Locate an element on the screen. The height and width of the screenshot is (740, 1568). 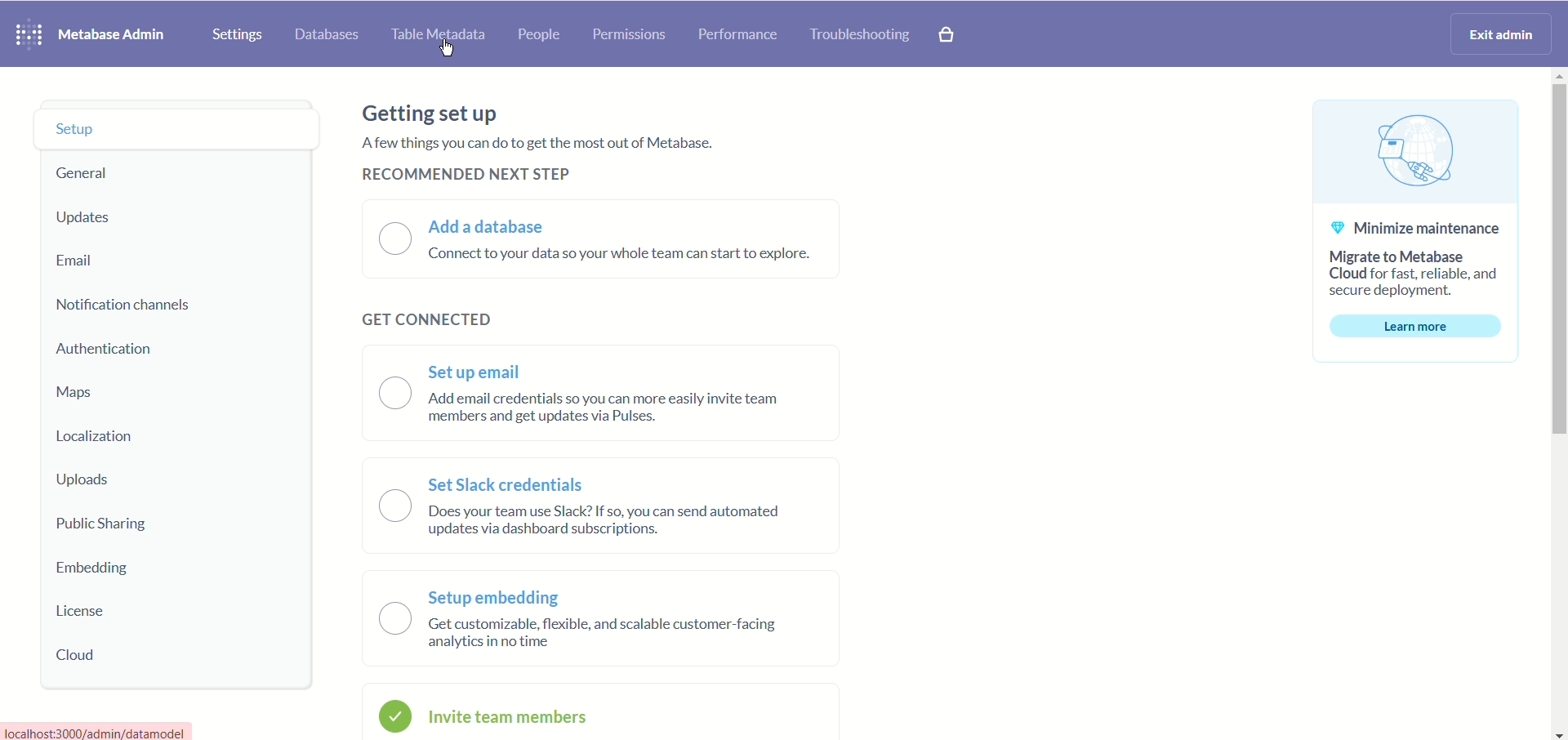
Uploads is located at coordinates (125, 479).